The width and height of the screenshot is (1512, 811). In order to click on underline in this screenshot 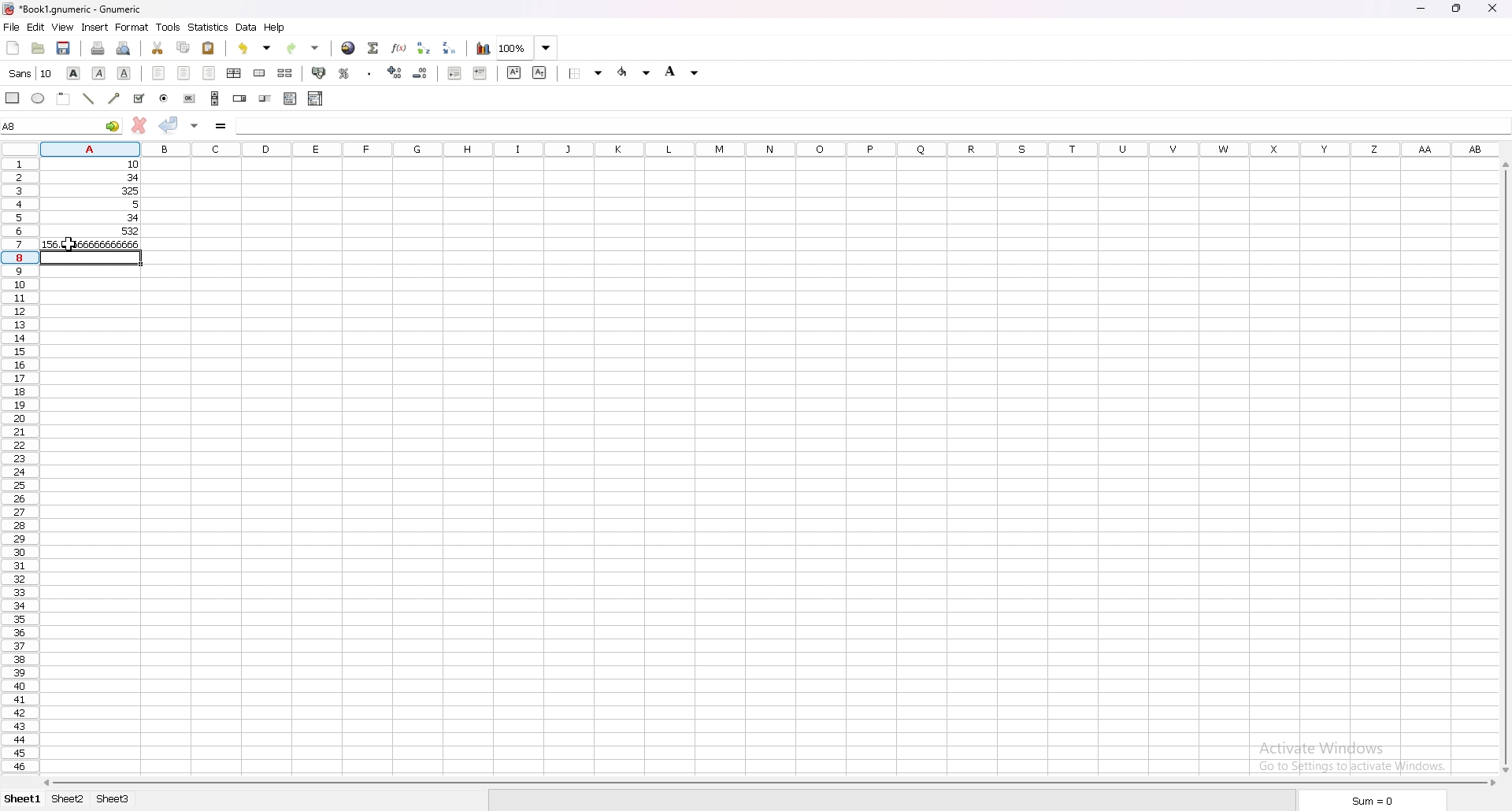, I will do `click(124, 72)`.